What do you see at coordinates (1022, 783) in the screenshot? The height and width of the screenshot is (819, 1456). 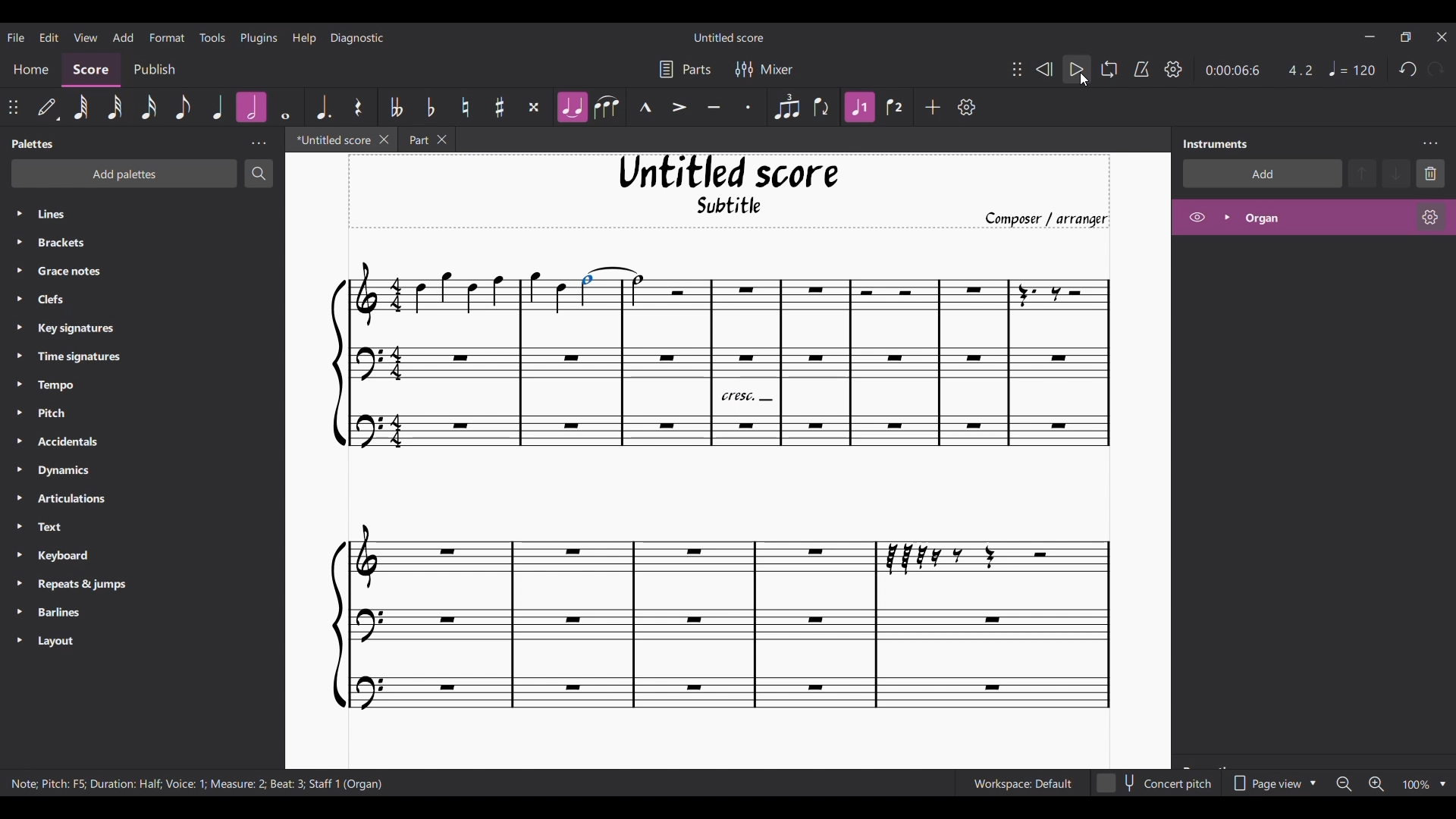 I see `Workspace setting` at bounding box center [1022, 783].